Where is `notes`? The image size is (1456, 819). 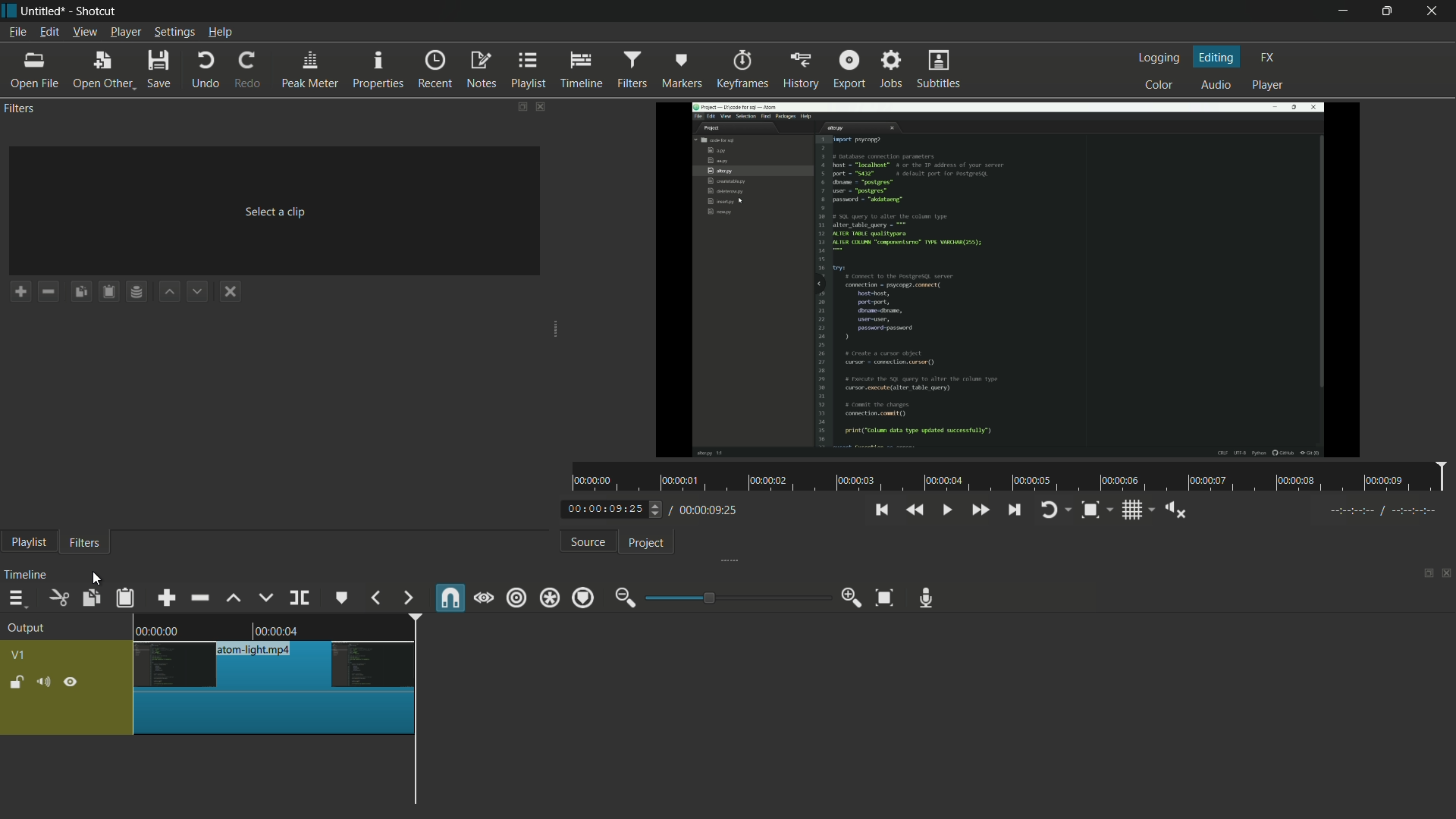
notes is located at coordinates (481, 71).